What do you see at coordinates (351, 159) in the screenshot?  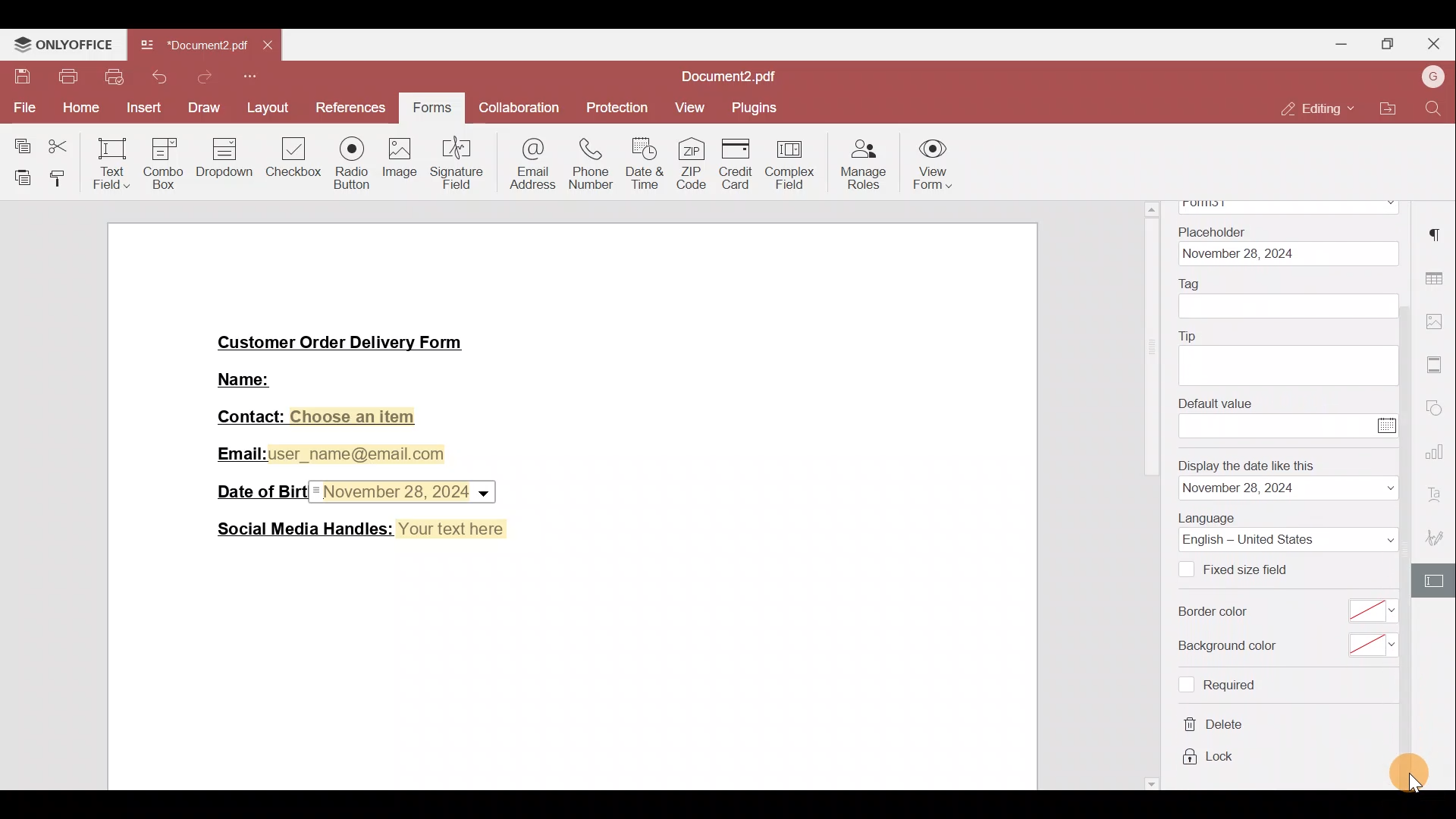 I see `Radio button` at bounding box center [351, 159].